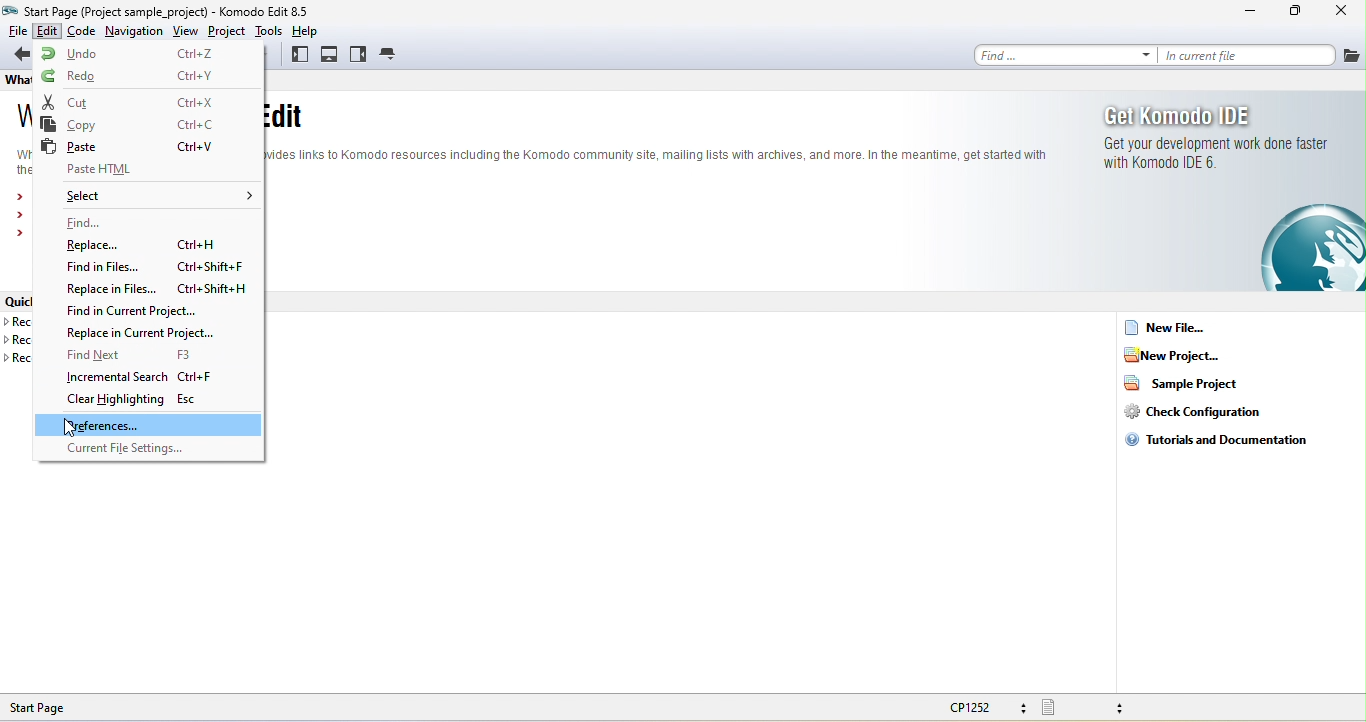 Image resolution: width=1366 pixels, height=722 pixels. Describe the element at coordinates (158, 332) in the screenshot. I see `replace in current project` at that location.